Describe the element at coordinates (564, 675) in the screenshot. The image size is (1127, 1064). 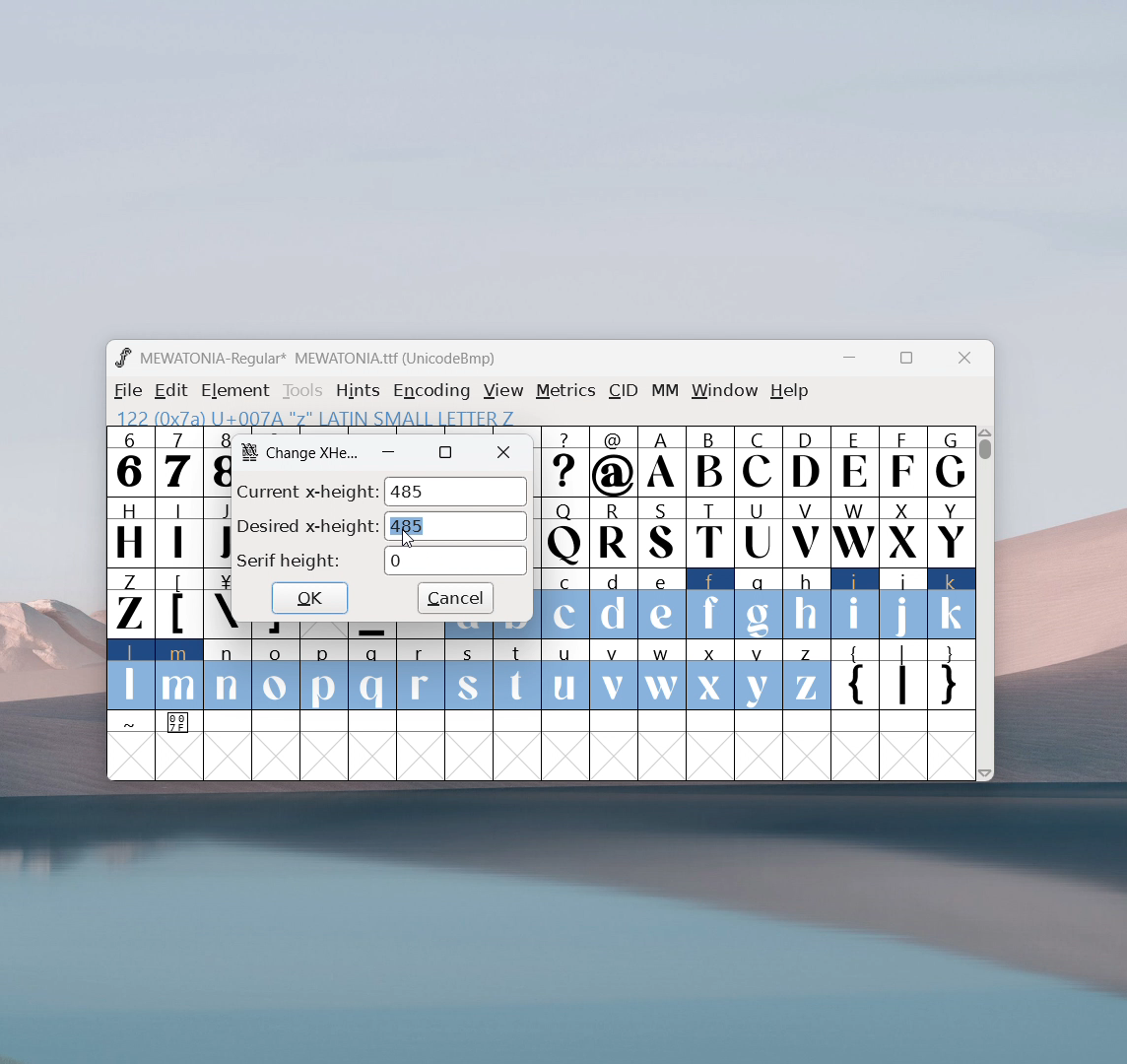
I see `u` at that location.